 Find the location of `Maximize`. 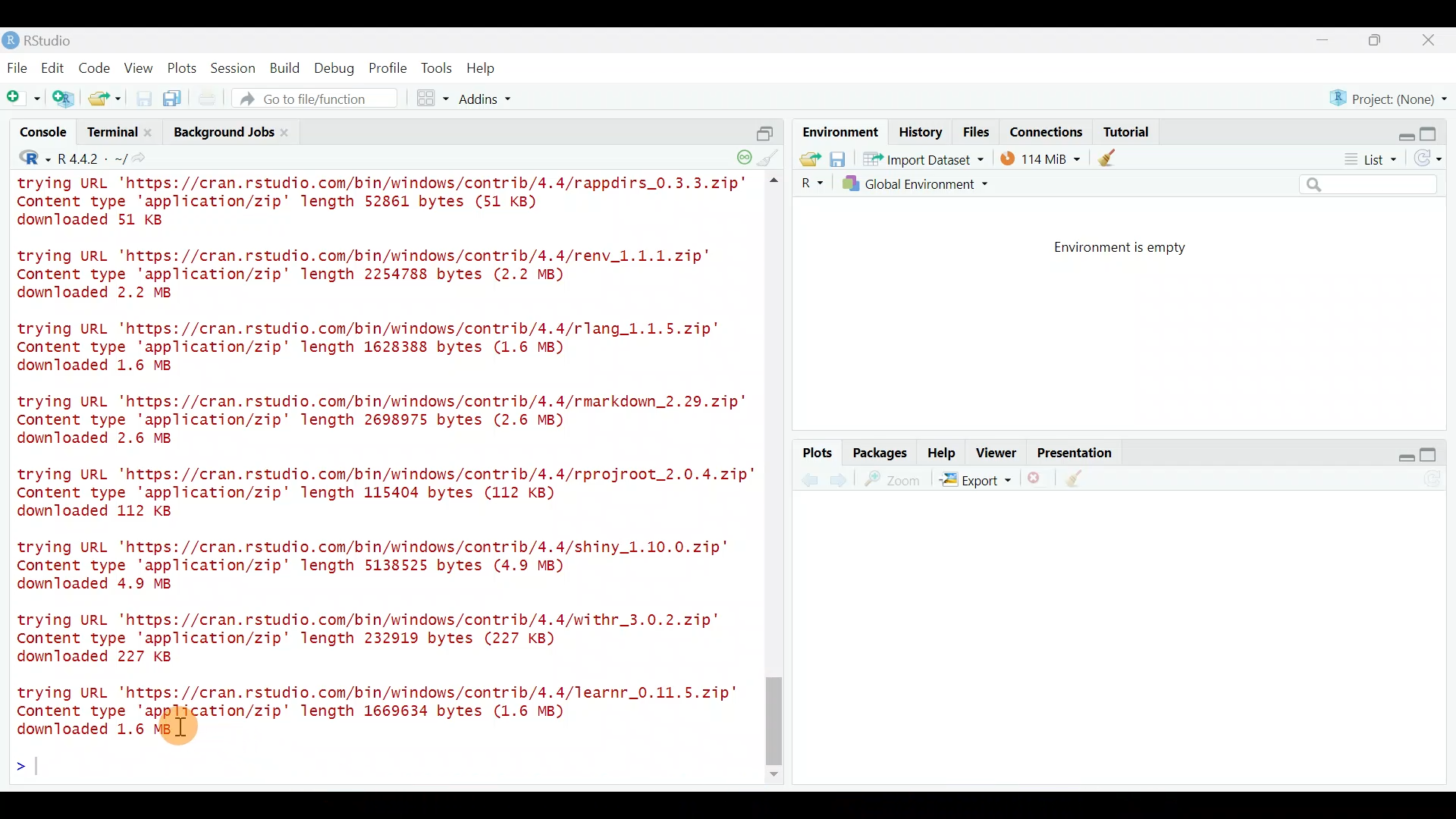

Maximize is located at coordinates (1436, 130).